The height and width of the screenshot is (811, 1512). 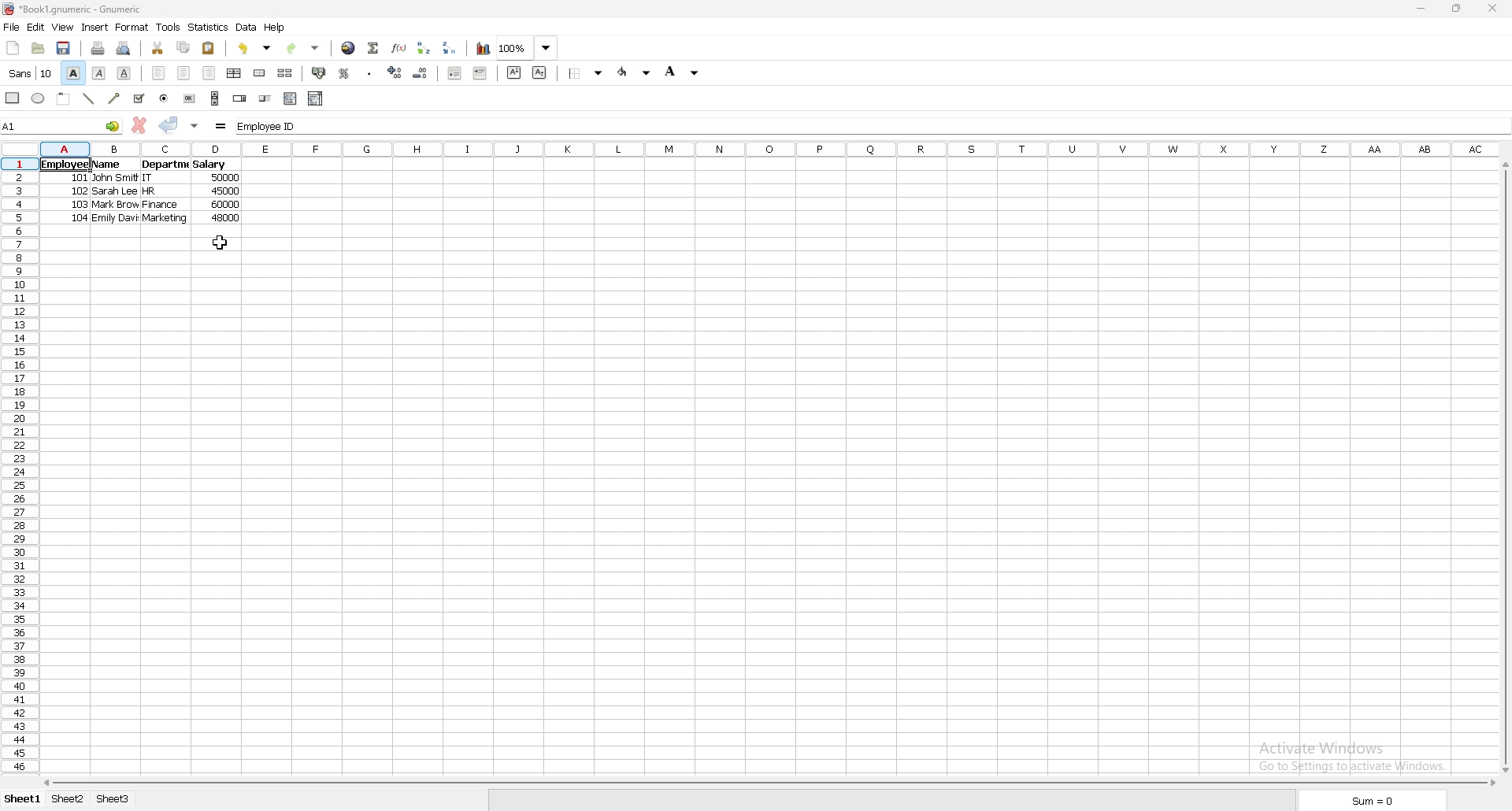 I want to click on italic, so click(x=99, y=73).